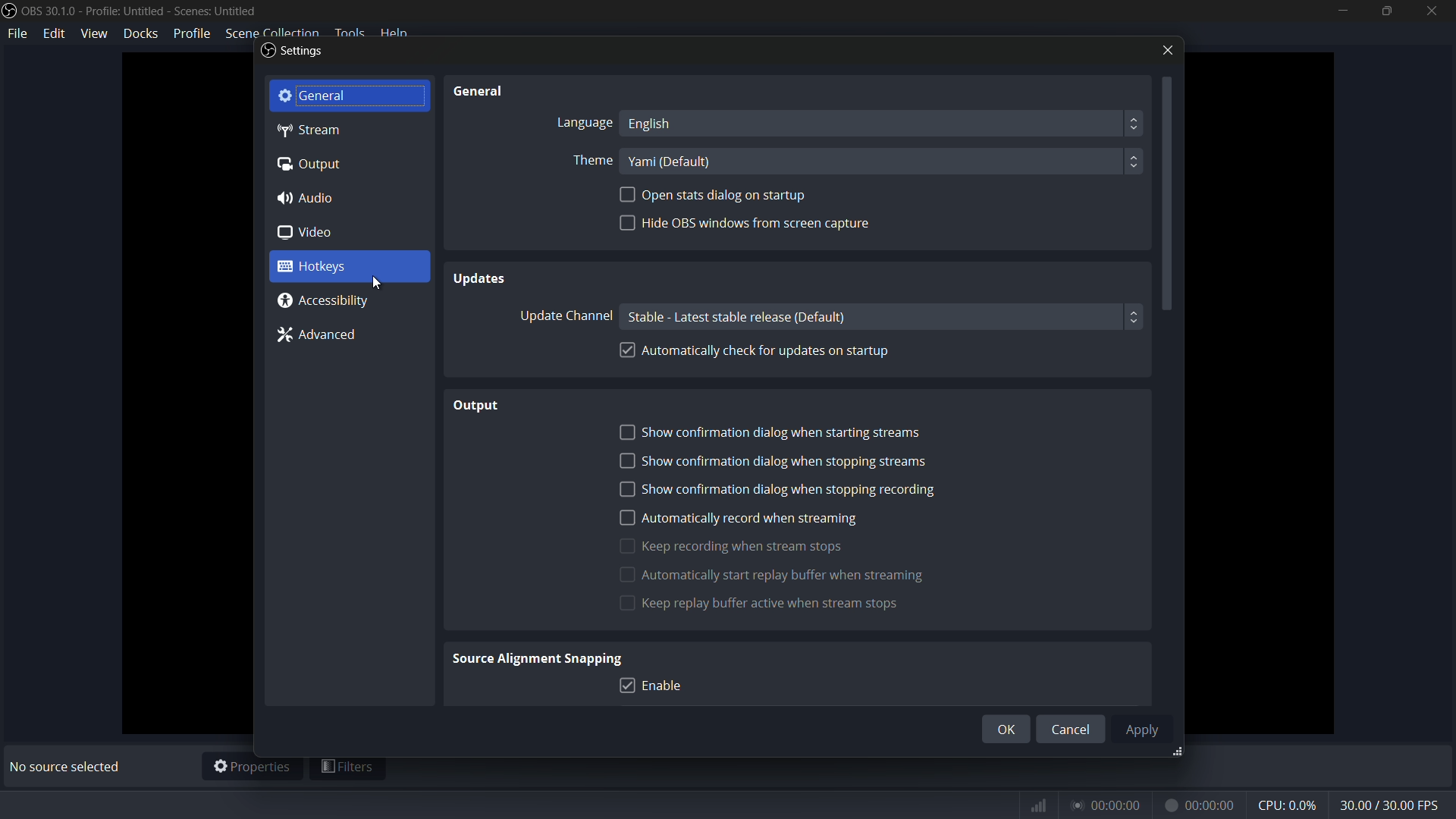 Image resolution: width=1456 pixels, height=819 pixels. I want to click on open stat dialogue on startup, so click(711, 196).